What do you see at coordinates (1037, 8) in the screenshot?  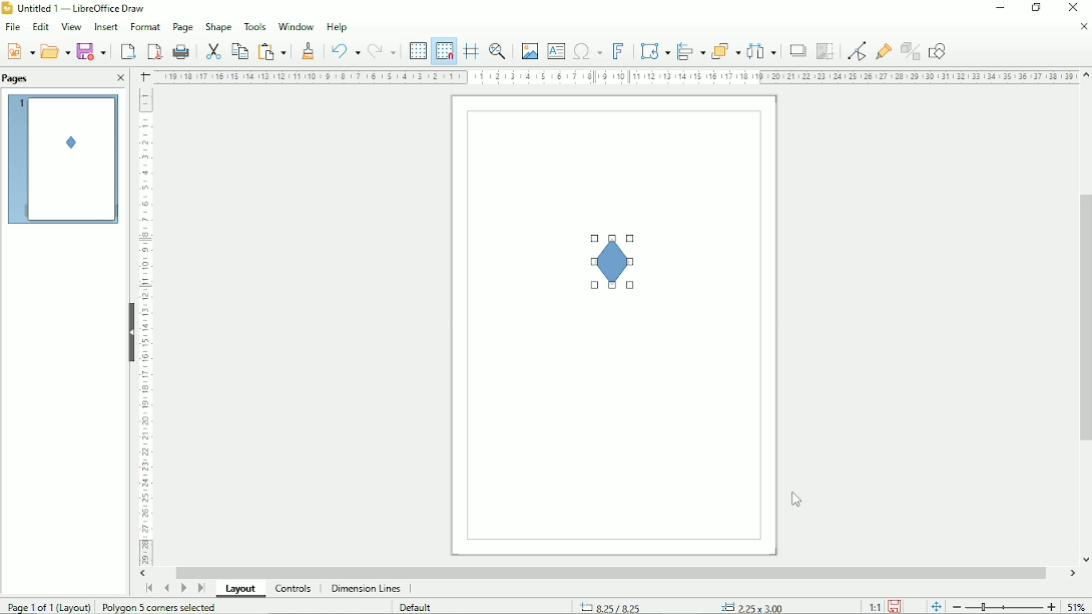 I see `Restore down` at bounding box center [1037, 8].